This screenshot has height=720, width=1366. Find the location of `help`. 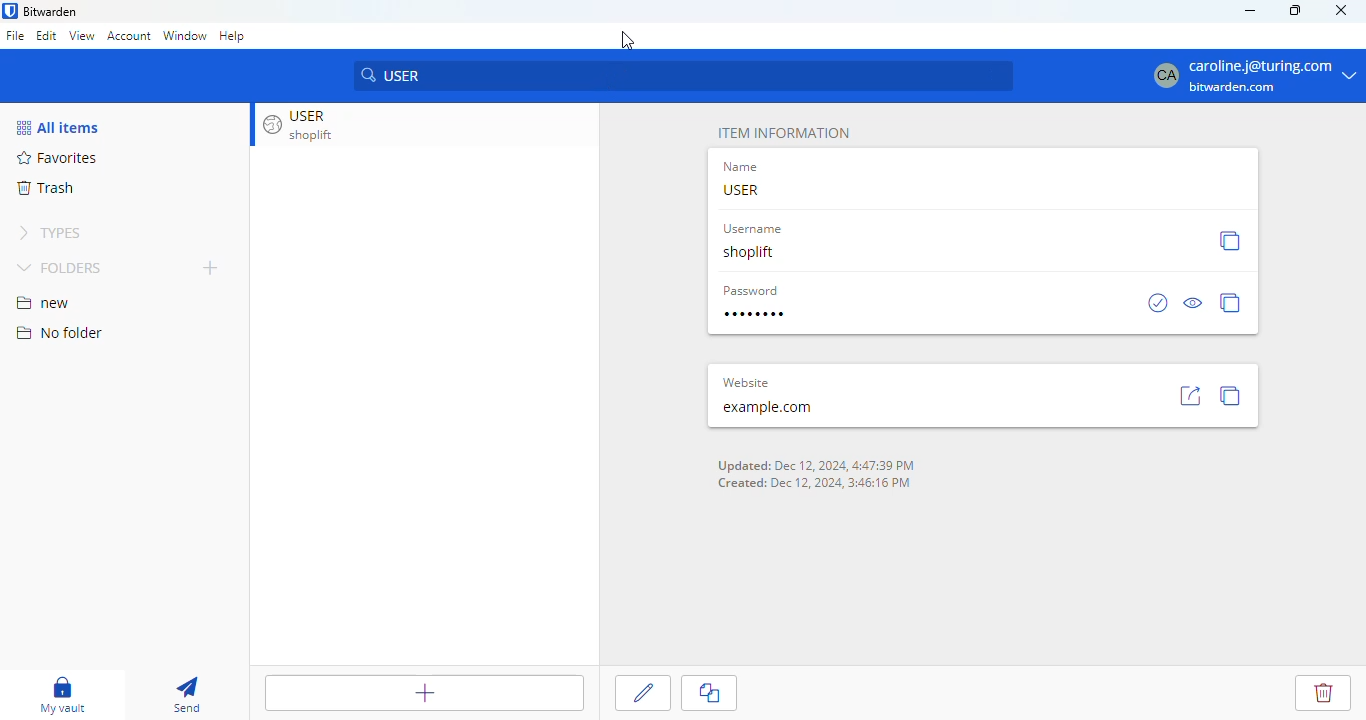

help is located at coordinates (232, 35).